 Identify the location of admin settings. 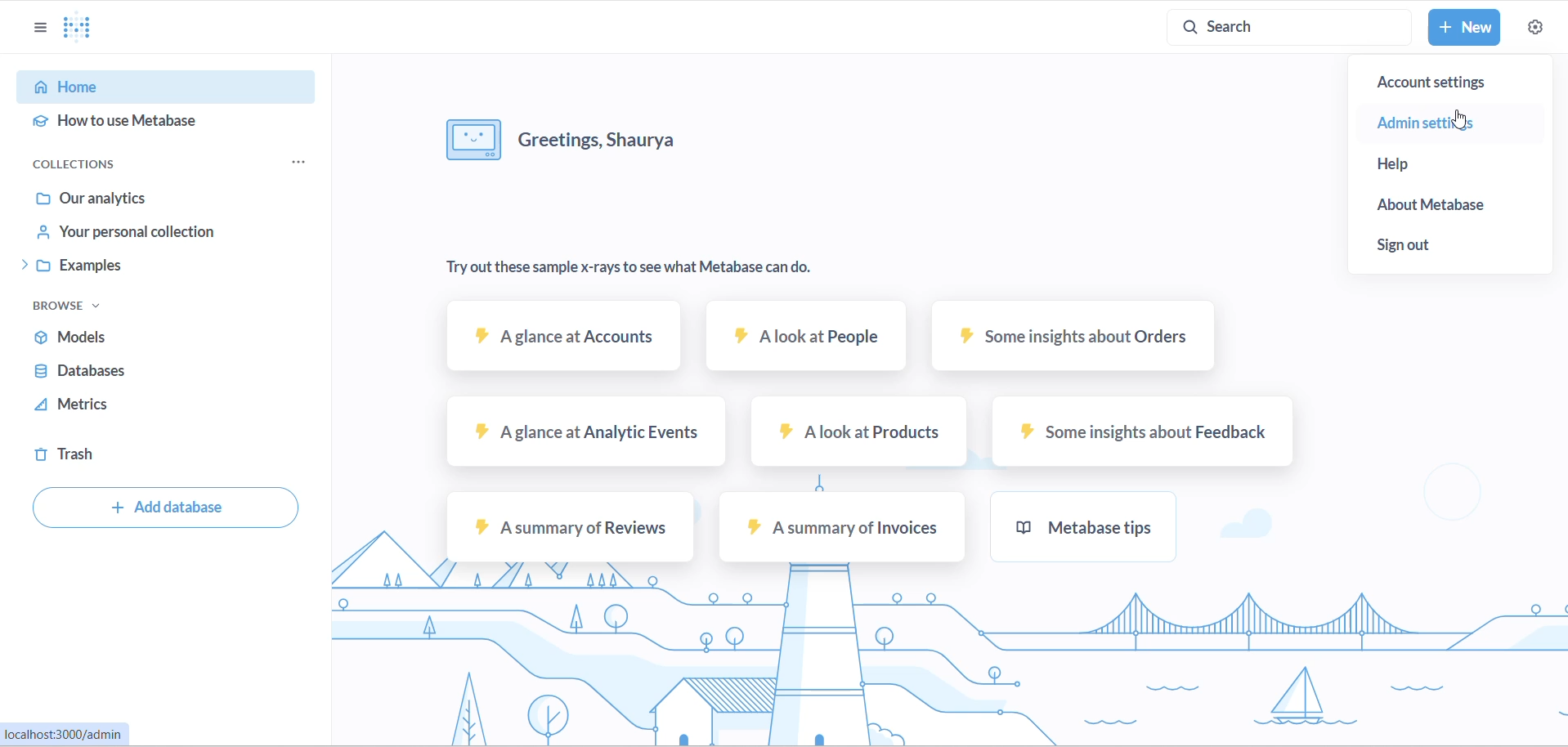
(1445, 121).